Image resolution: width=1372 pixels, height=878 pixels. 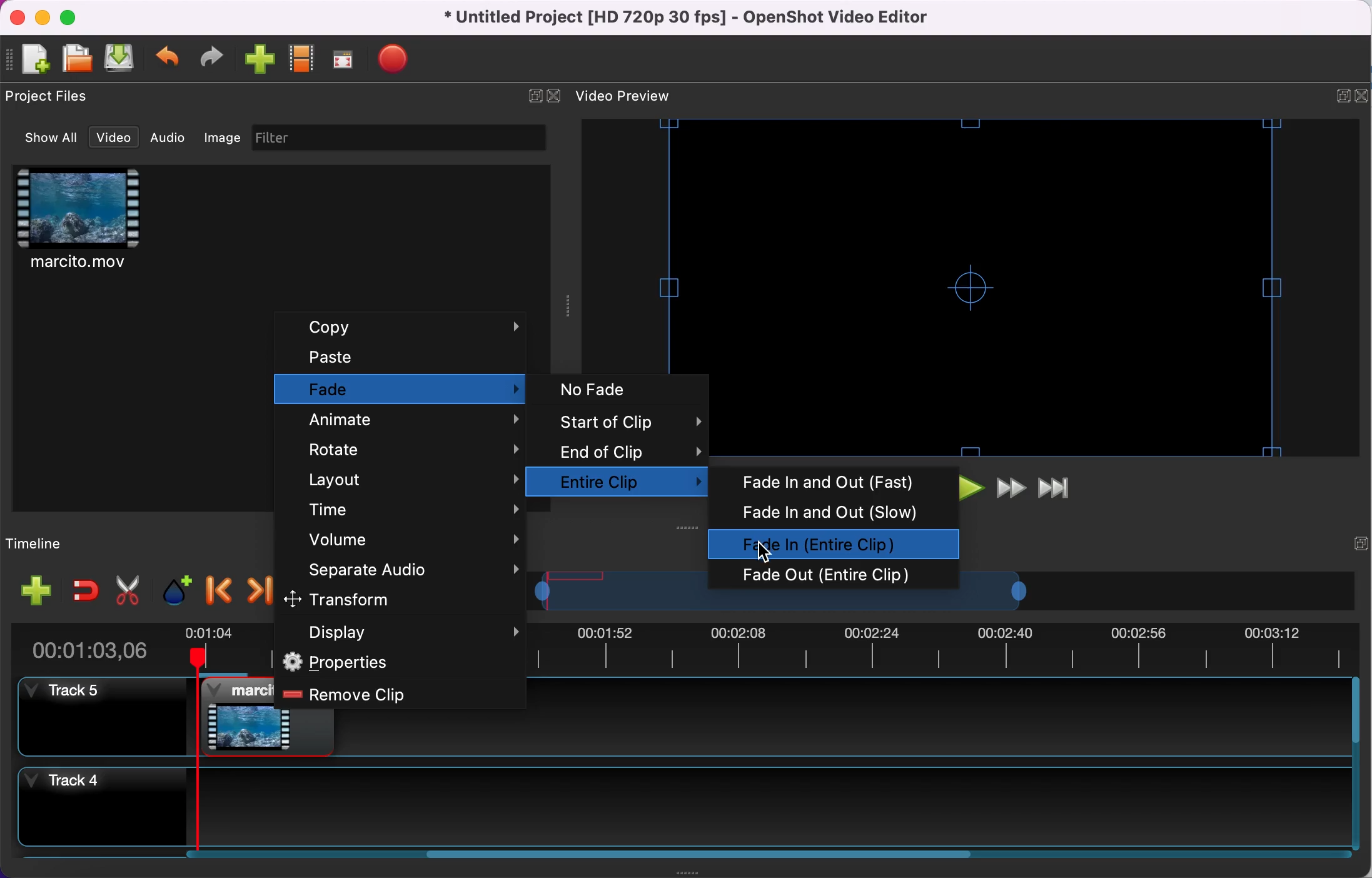 I want to click on previous marker, so click(x=217, y=587).